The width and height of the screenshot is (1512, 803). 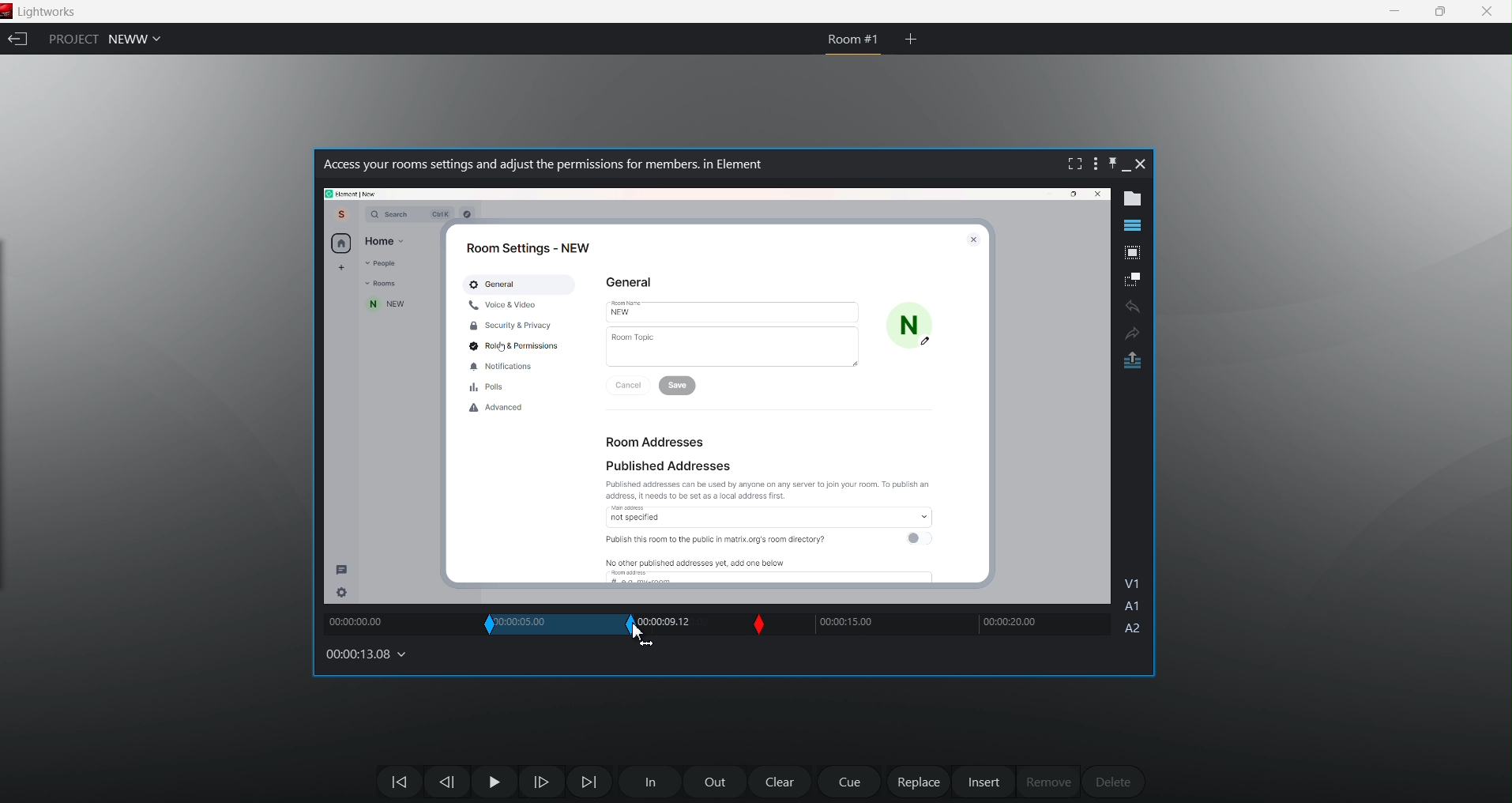 I want to click on exit current project, so click(x=18, y=40).